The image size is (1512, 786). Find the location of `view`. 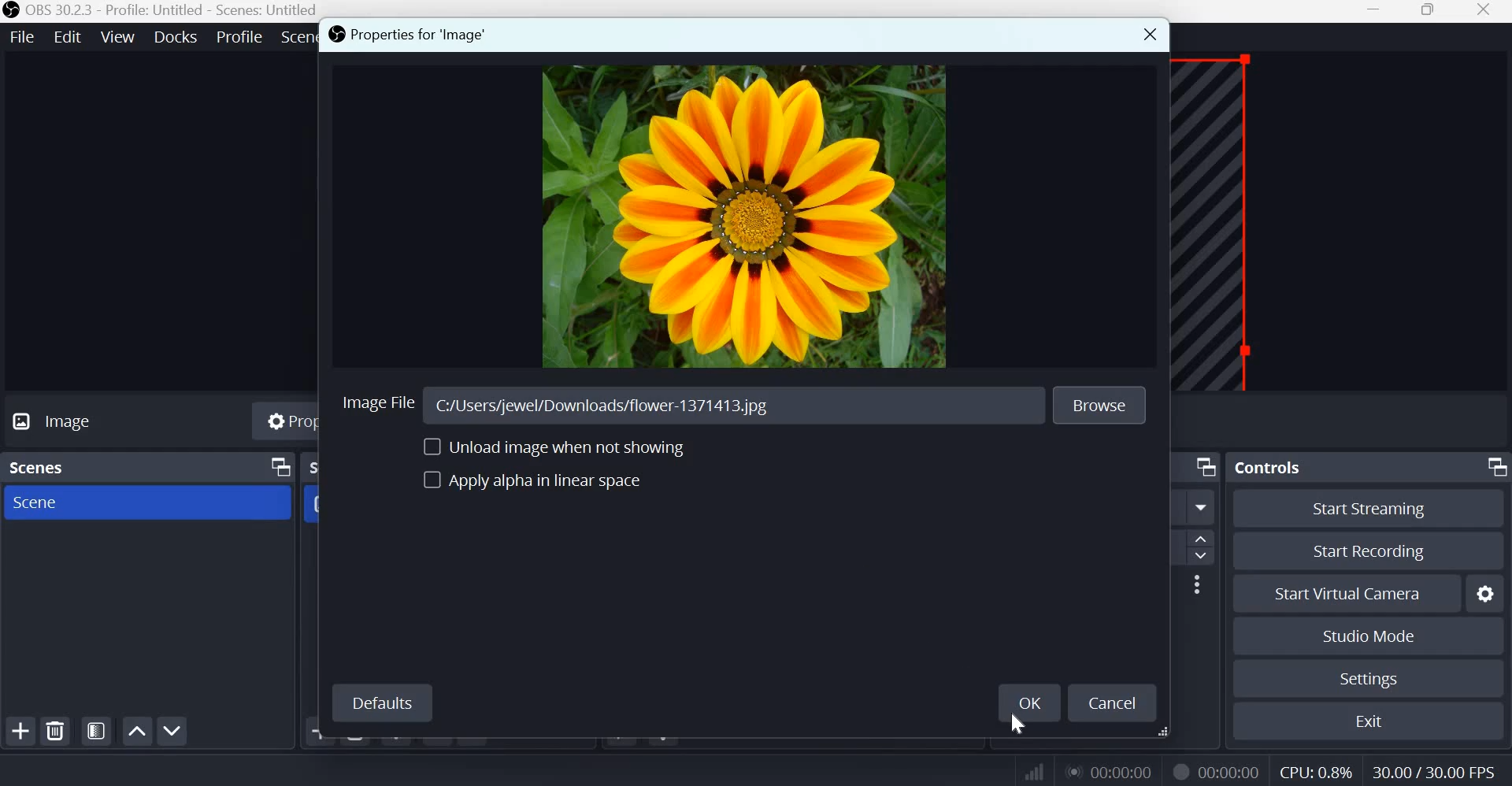

view is located at coordinates (118, 35).